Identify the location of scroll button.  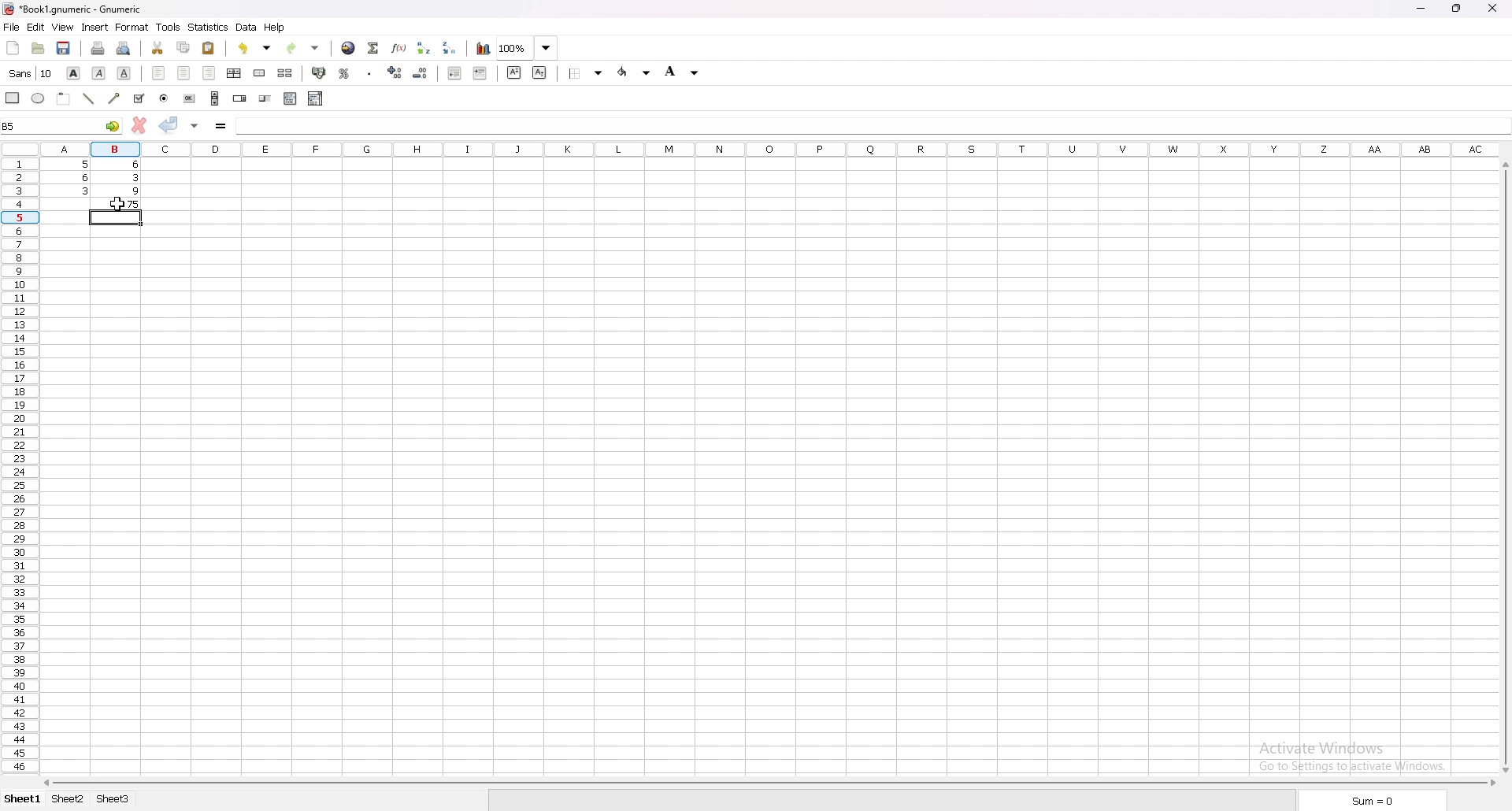
(214, 98).